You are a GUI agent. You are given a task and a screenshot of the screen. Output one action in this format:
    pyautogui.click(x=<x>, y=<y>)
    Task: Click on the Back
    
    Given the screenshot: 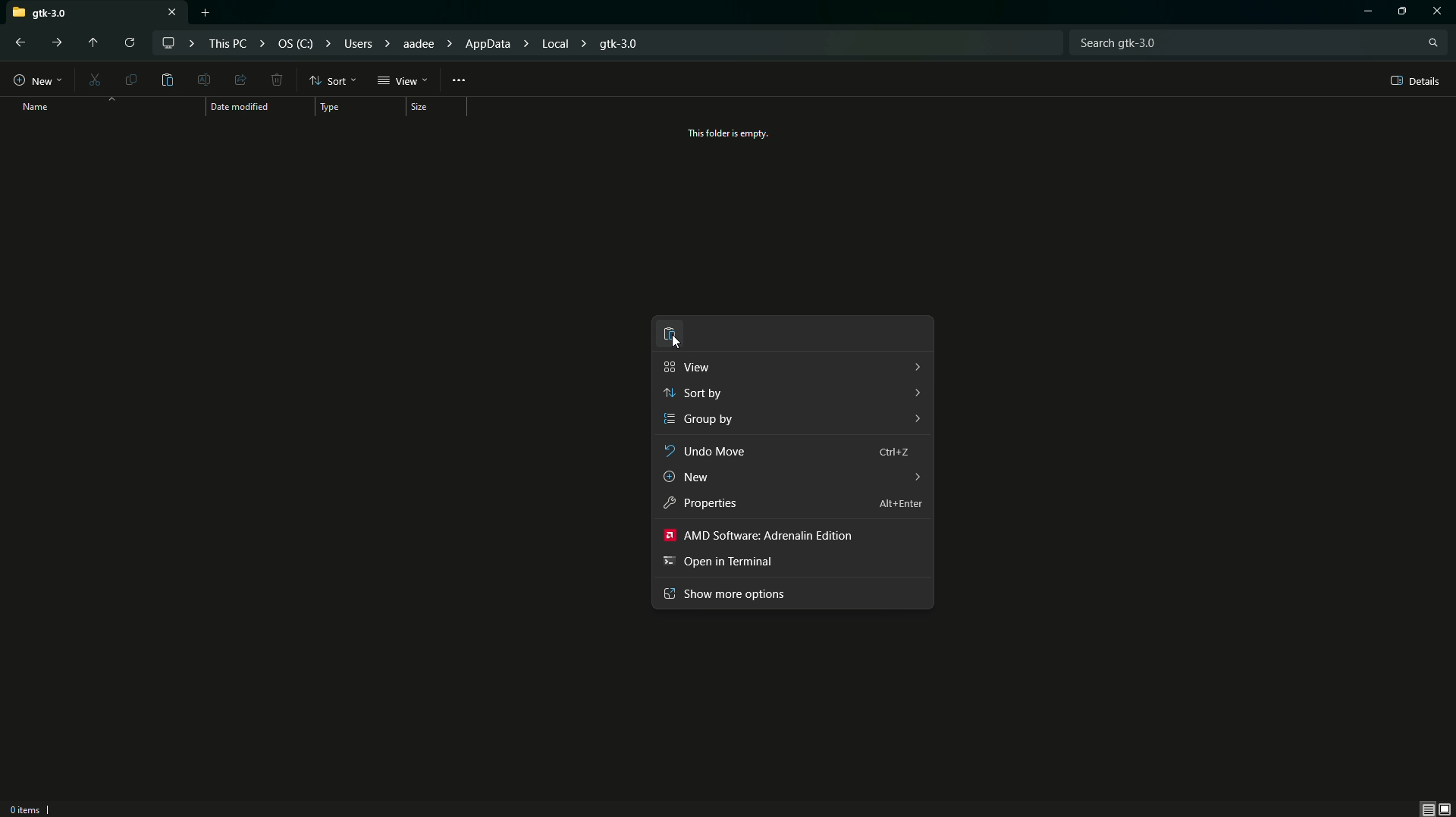 What is the action you would take?
    pyautogui.click(x=17, y=44)
    